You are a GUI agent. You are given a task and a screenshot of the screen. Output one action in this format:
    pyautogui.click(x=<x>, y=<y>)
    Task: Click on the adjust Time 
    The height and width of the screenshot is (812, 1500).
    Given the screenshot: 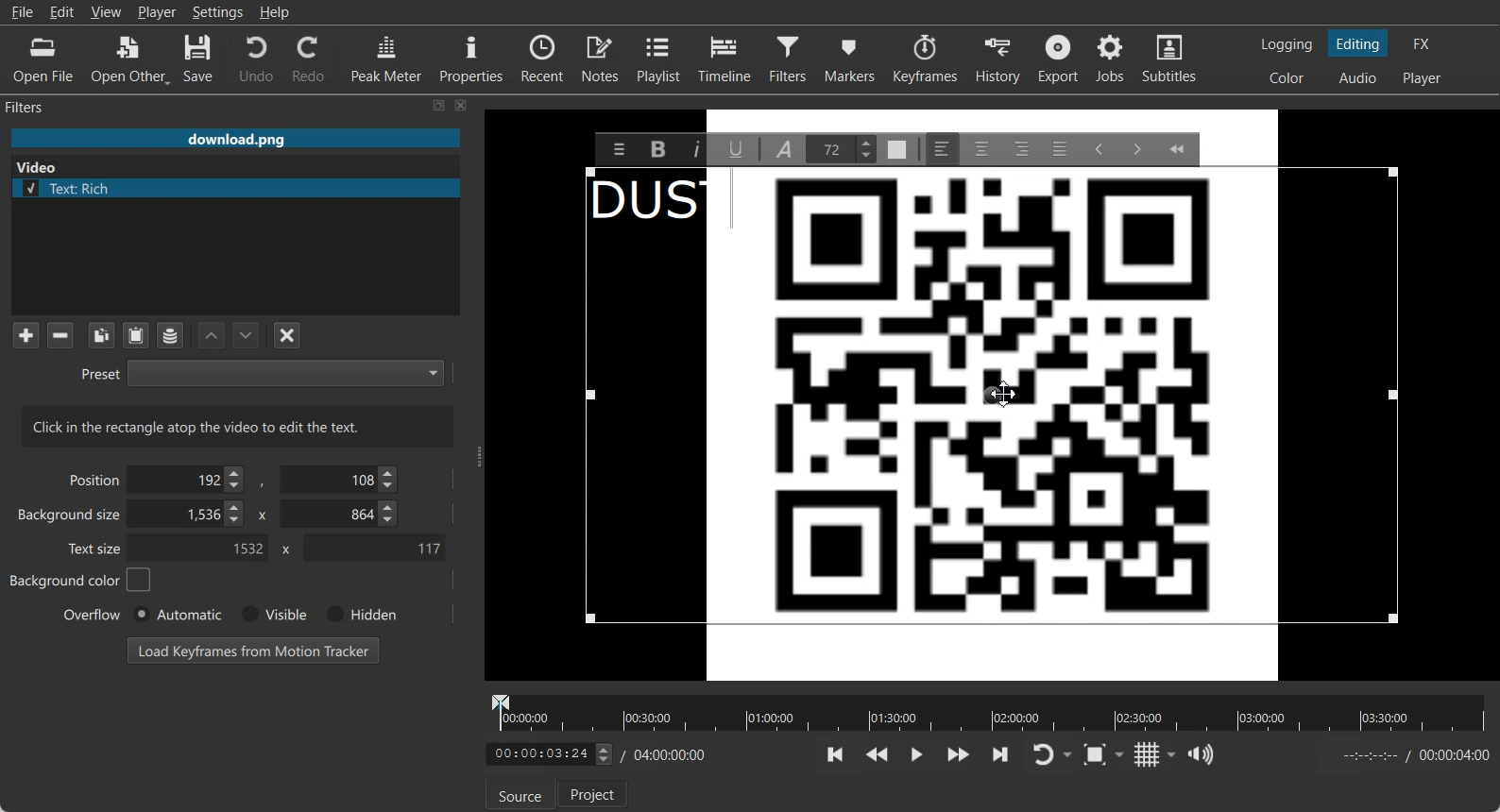 What is the action you would take?
    pyautogui.click(x=548, y=755)
    